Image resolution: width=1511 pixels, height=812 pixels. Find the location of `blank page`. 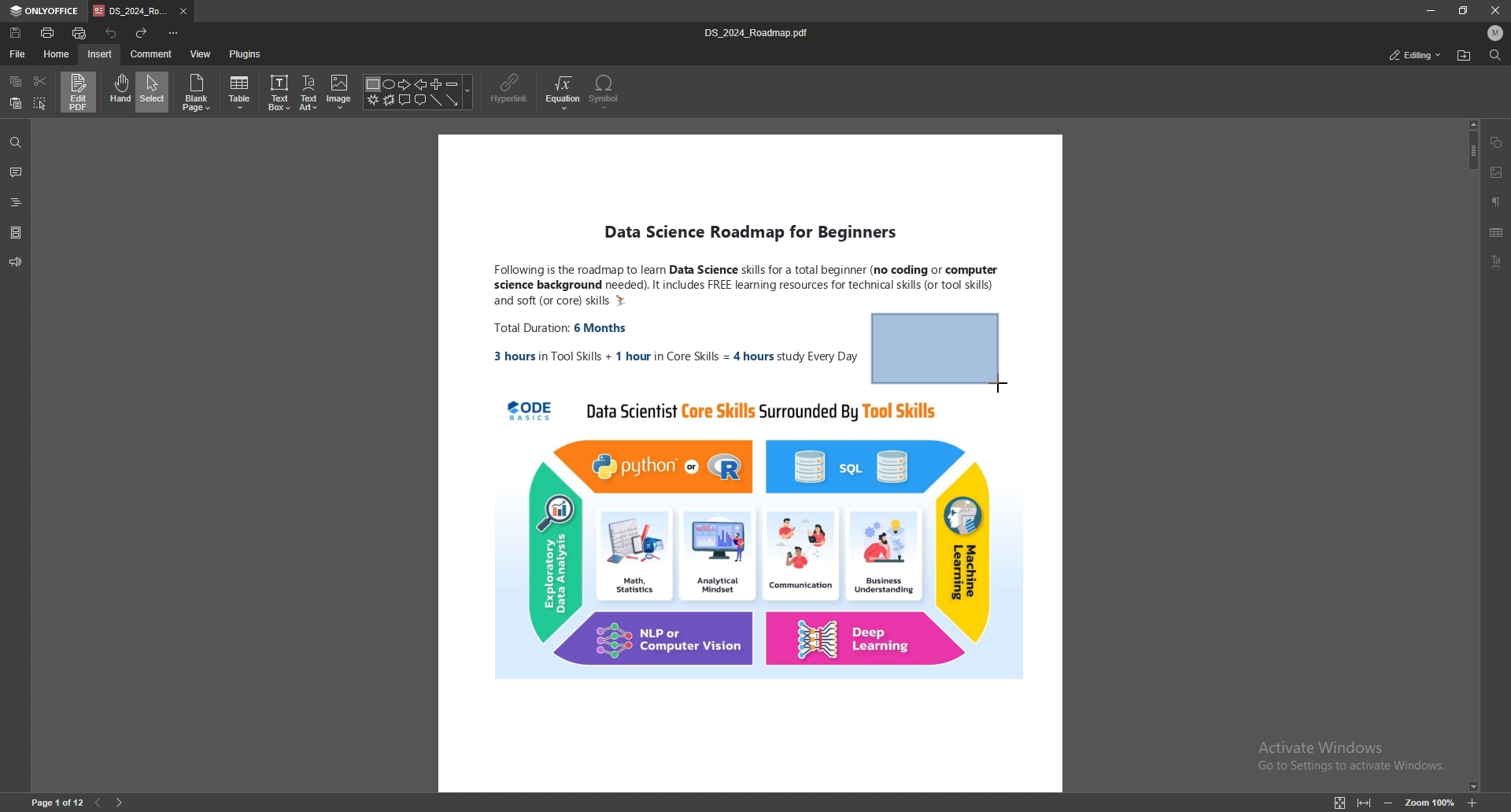

blank page is located at coordinates (198, 93).